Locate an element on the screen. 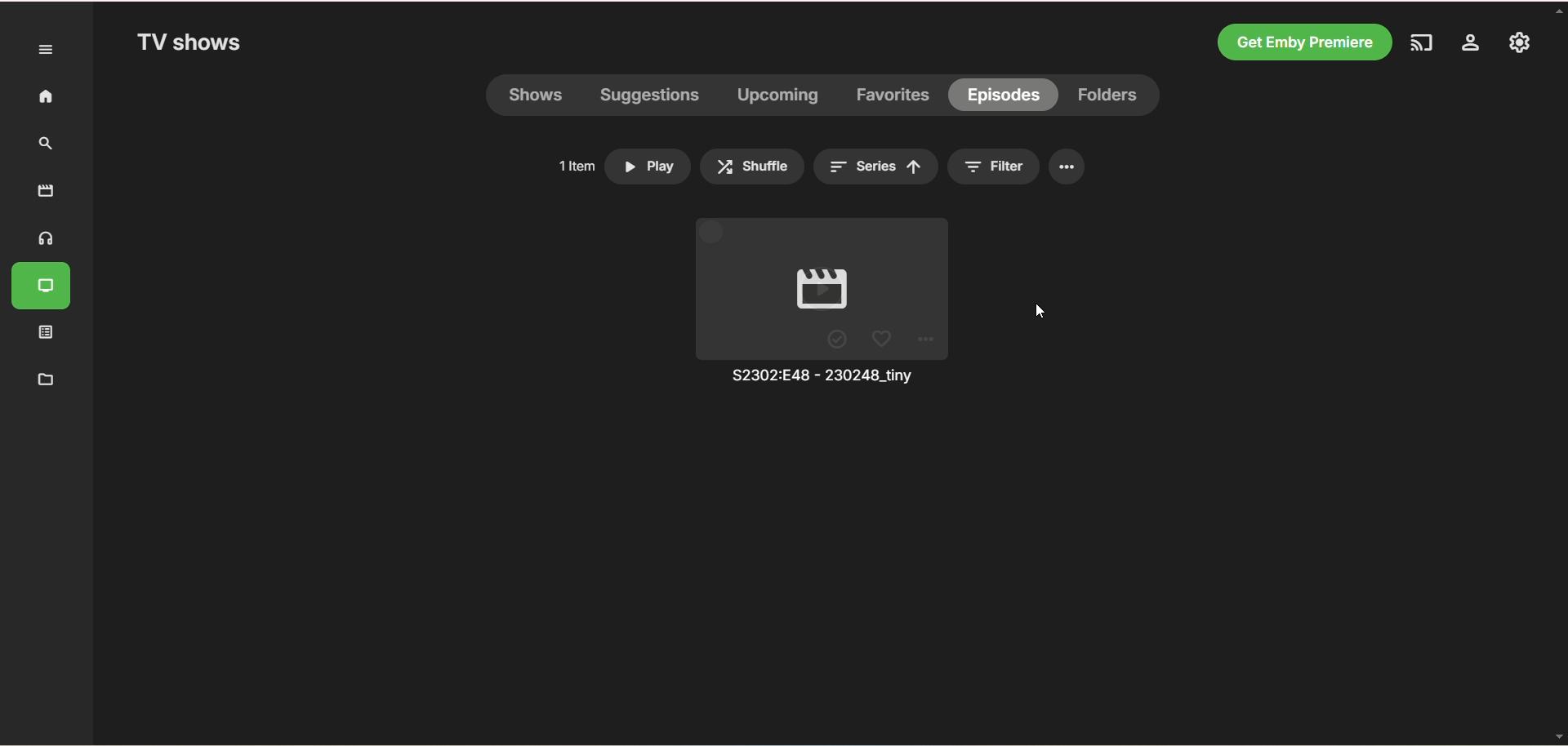 This screenshot has width=1568, height=746. S2302:E48 - 230248_tiny is located at coordinates (822, 380).